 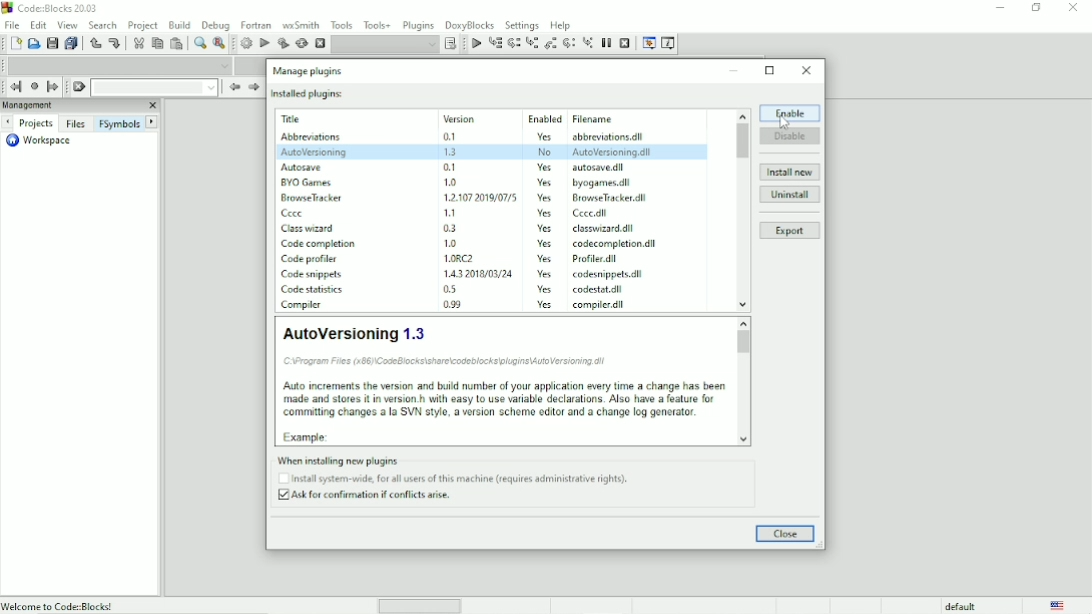 What do you see at coordinates (743, 345) in the screenshot?
I see `Vertical scrollbar` at bounding box center [743, 345].